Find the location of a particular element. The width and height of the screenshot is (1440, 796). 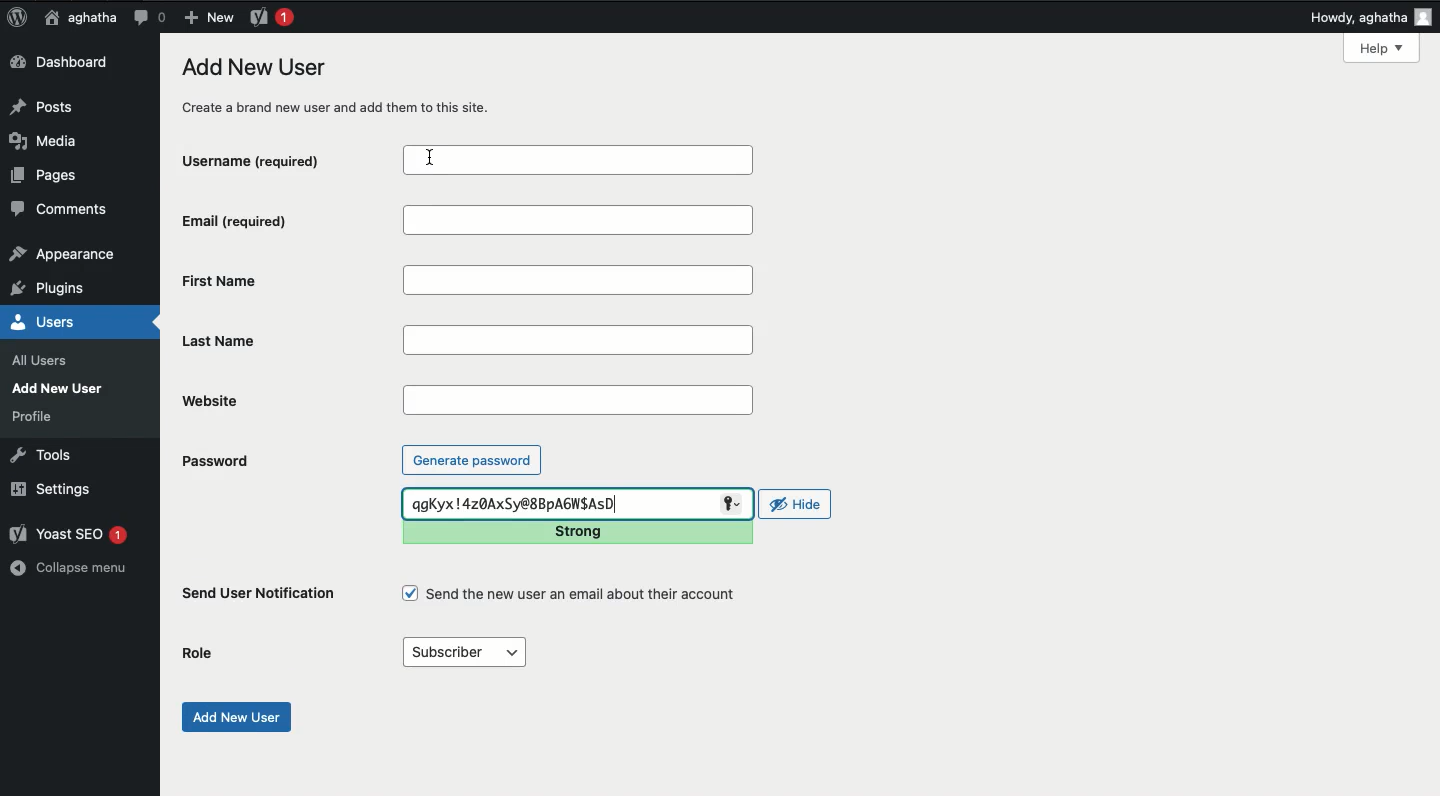

Generate password is located at coordinates (472, 459).